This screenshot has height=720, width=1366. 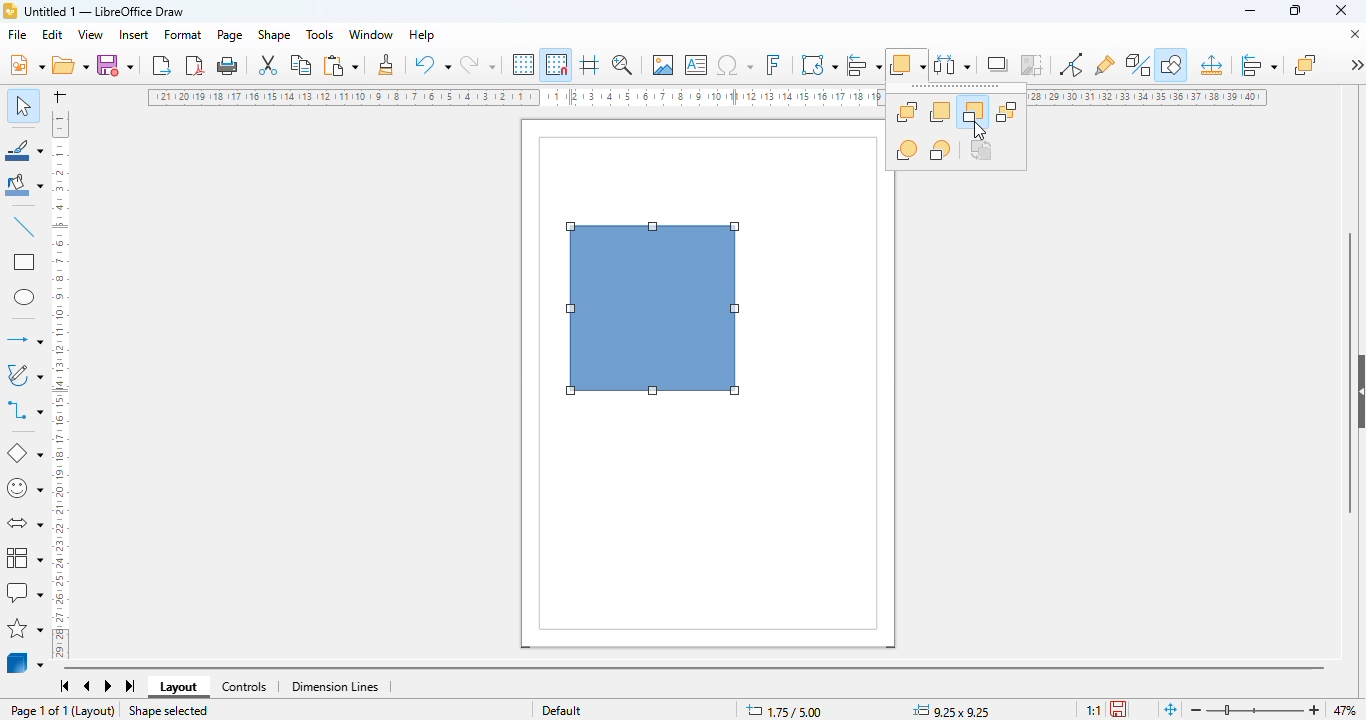 I want to click on insert special characters, so click(x=735, y=65).